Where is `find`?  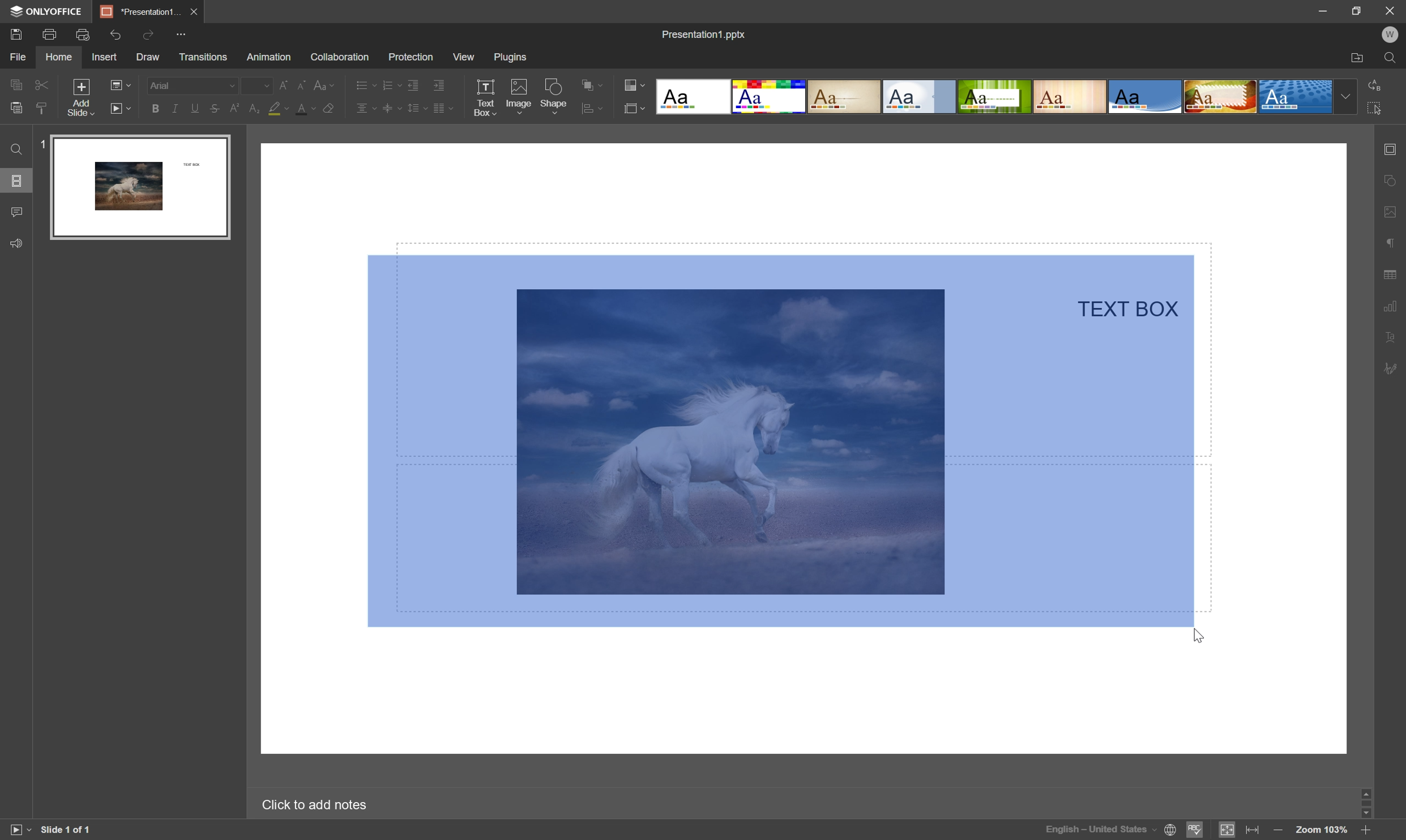 find is located at coordinates (1392, 59).